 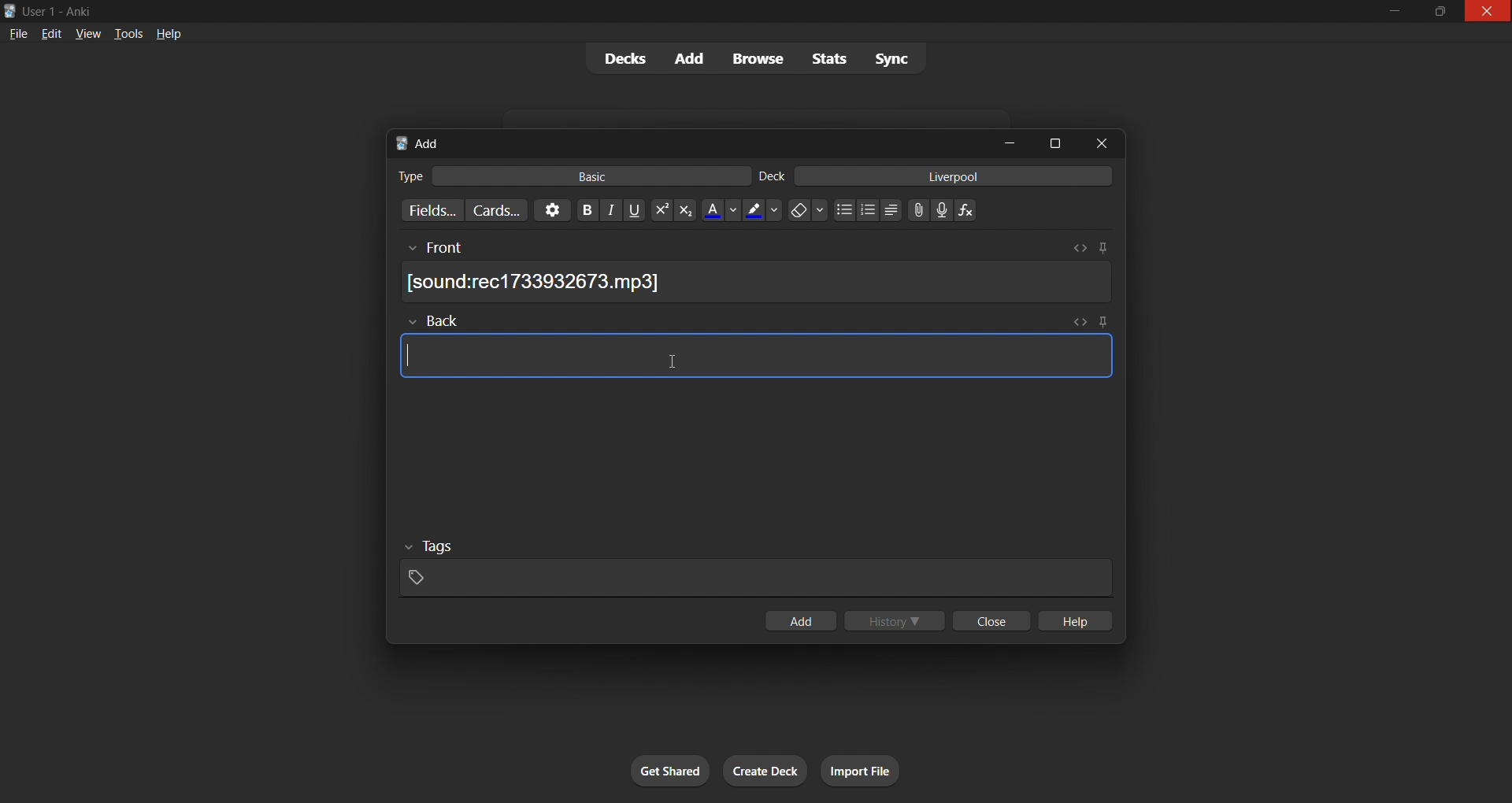 I want to click on decks, so click(x=621, y=59).